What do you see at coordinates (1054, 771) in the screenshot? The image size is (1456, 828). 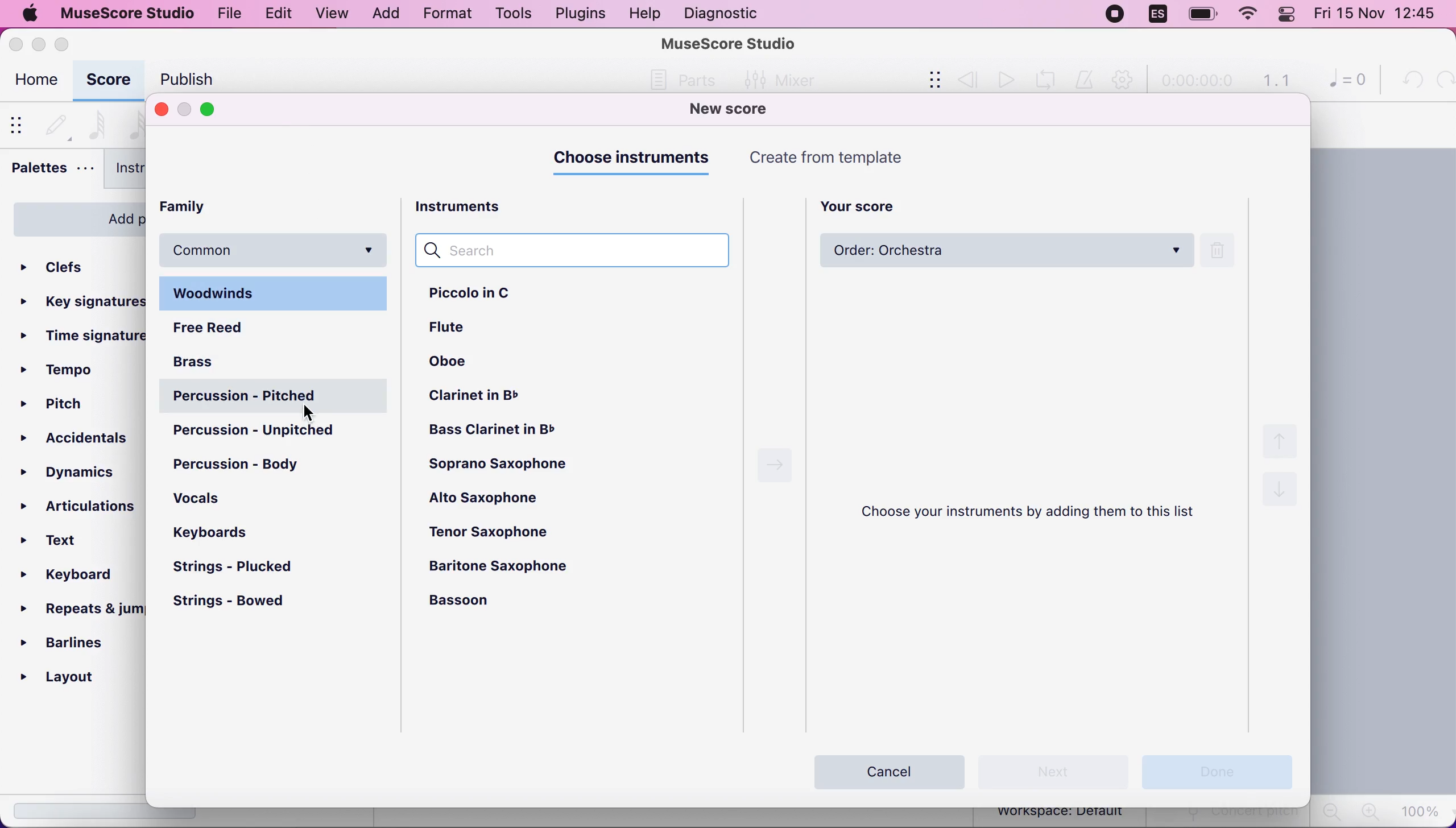 I see `next` at bounding box center [1054, 771].